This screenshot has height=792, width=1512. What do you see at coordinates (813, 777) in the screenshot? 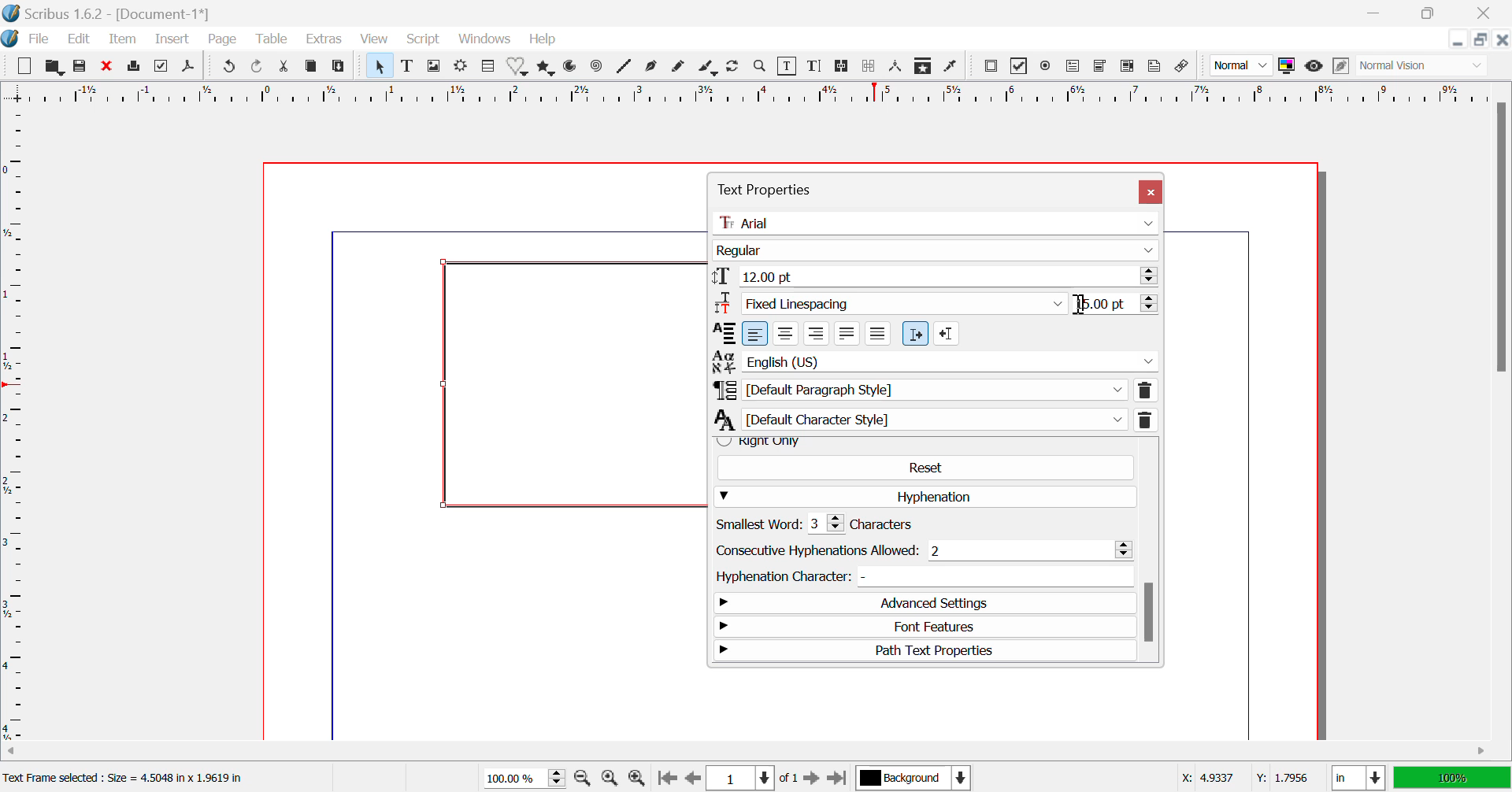
I see `Next Page` at bounding box center [813, 777].